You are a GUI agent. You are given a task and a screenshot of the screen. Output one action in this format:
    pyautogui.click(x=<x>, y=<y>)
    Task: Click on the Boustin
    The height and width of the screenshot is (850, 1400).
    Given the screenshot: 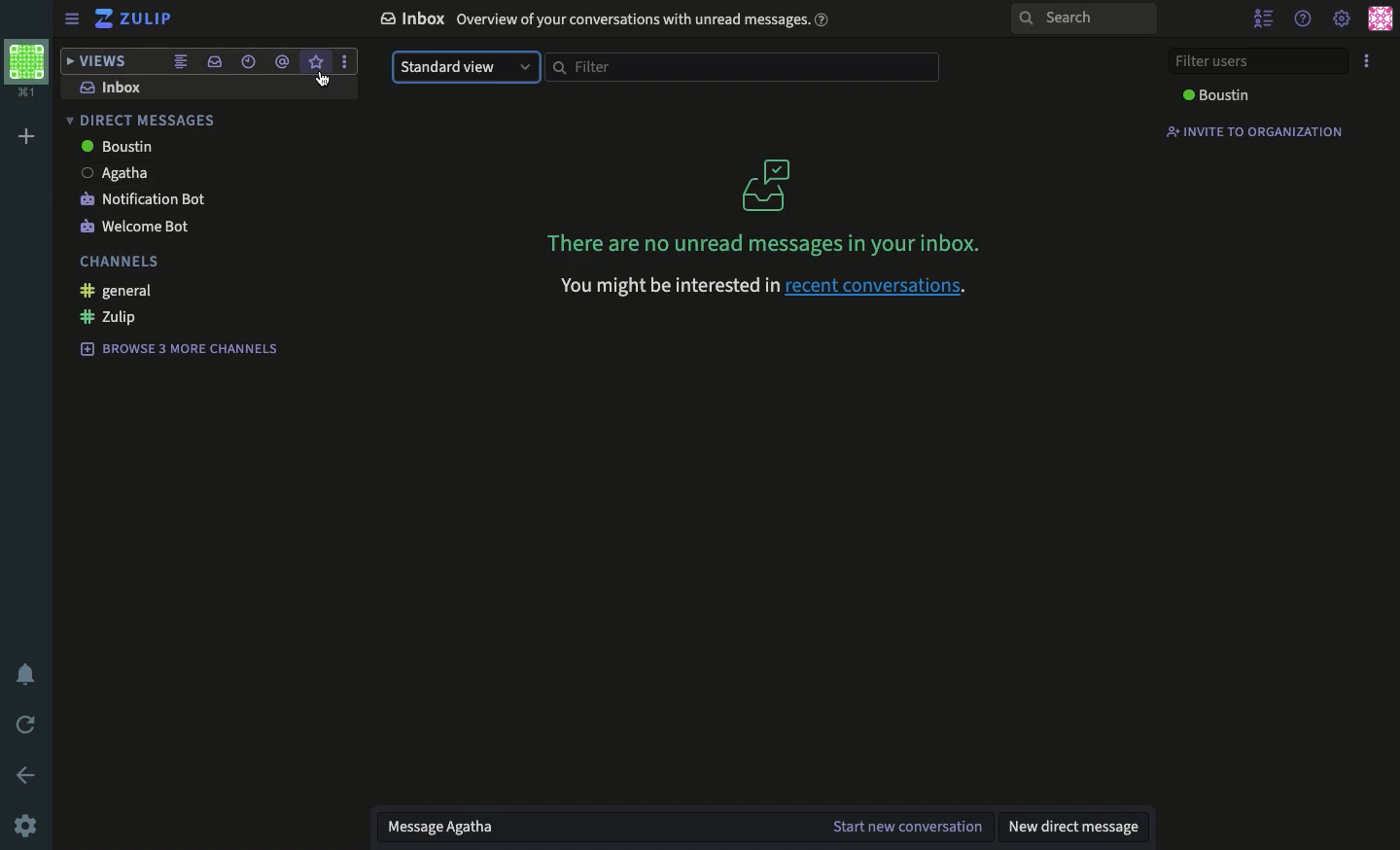 What is the action you would take?
    pyautogui.click(x=1217, y=98)
    